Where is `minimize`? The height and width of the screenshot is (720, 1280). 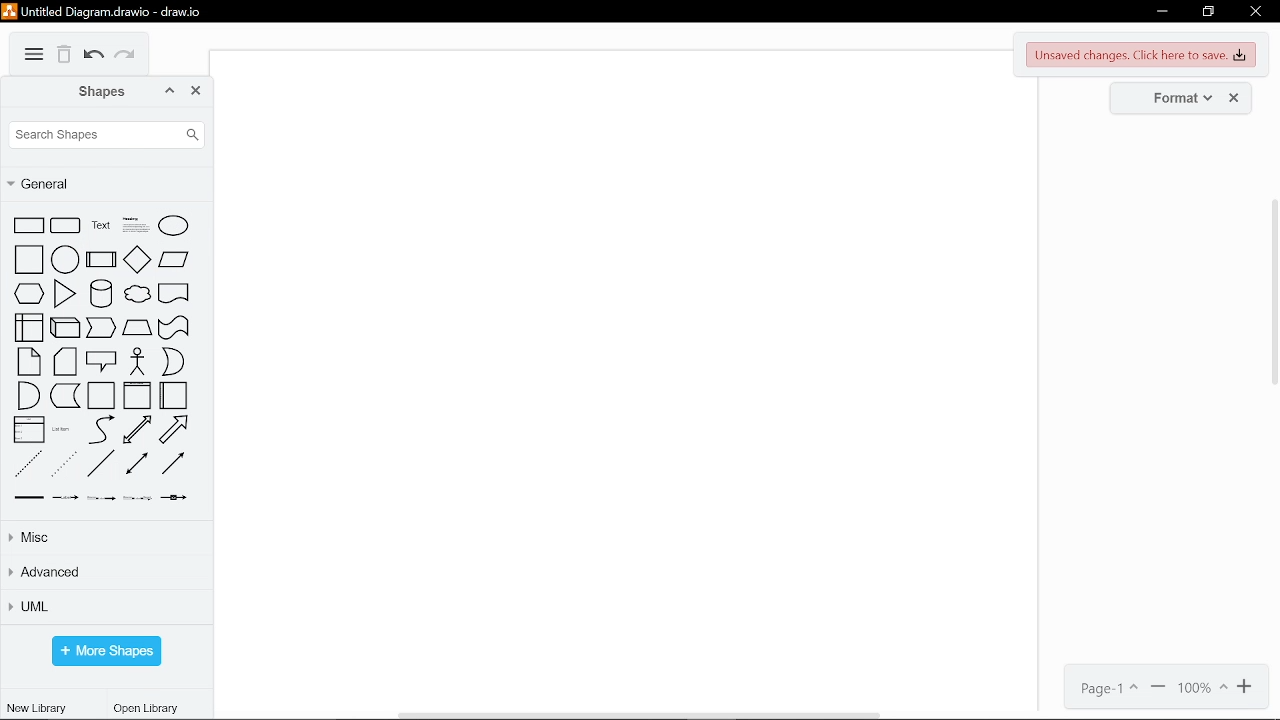
minimize is located at coordinates (1162, 12).